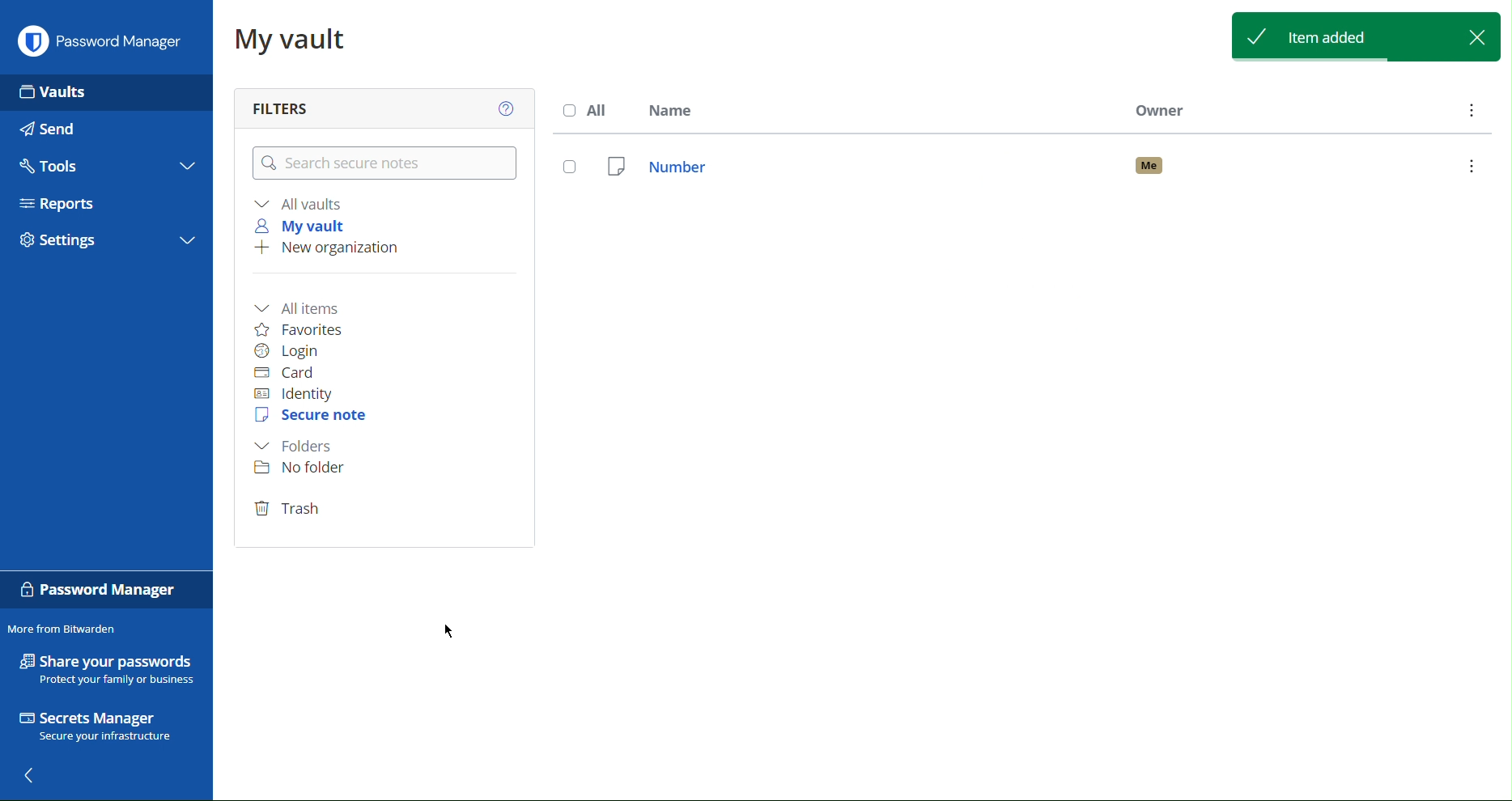 The height and width of the screenshot is (801, 1512). What do you see at coordinates (54, 129) in the screenshot?
I see `Send` at bounding box center [54, 129].